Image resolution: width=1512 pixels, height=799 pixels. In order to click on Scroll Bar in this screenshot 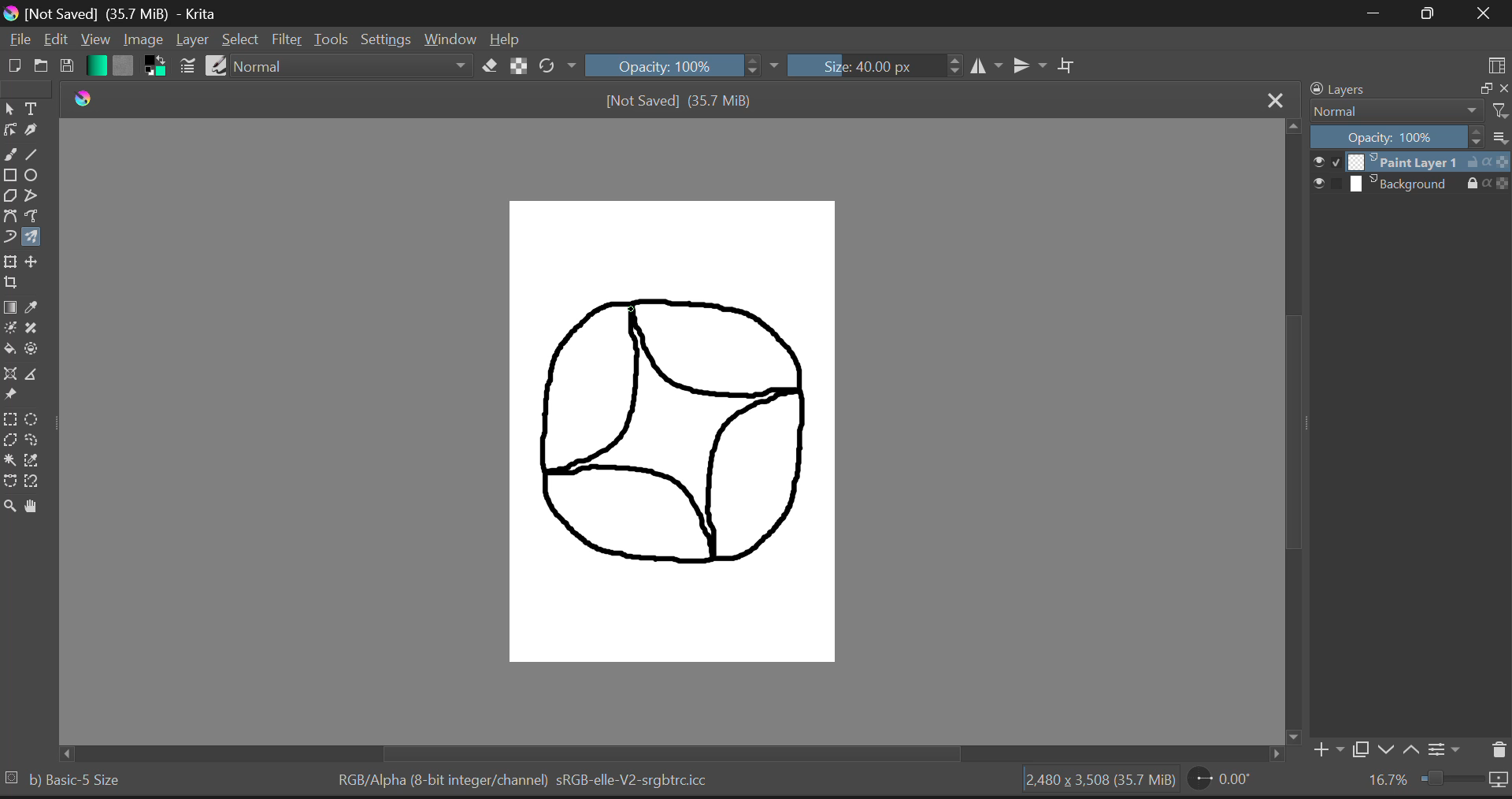, I will do `click(658, 754)`.